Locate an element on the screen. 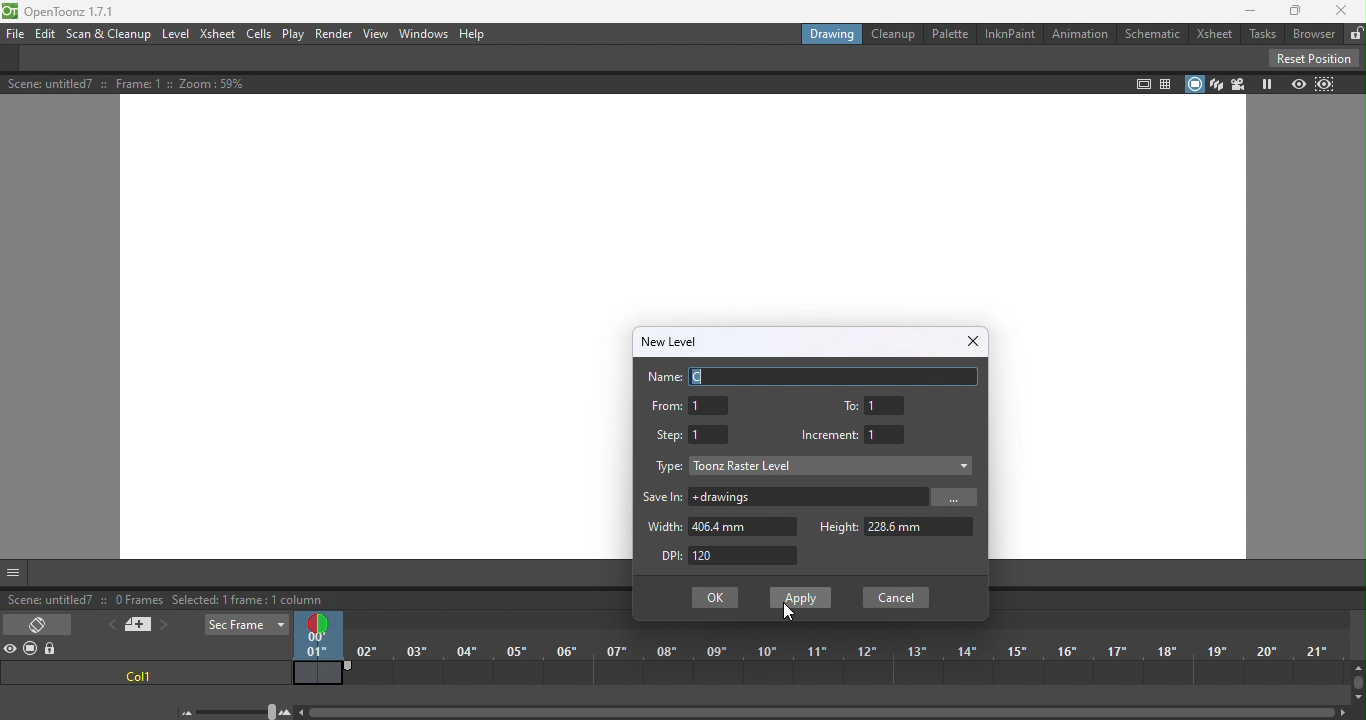 This screenshot has height=720, width=1366. Play is located at coordinates (291, 35).